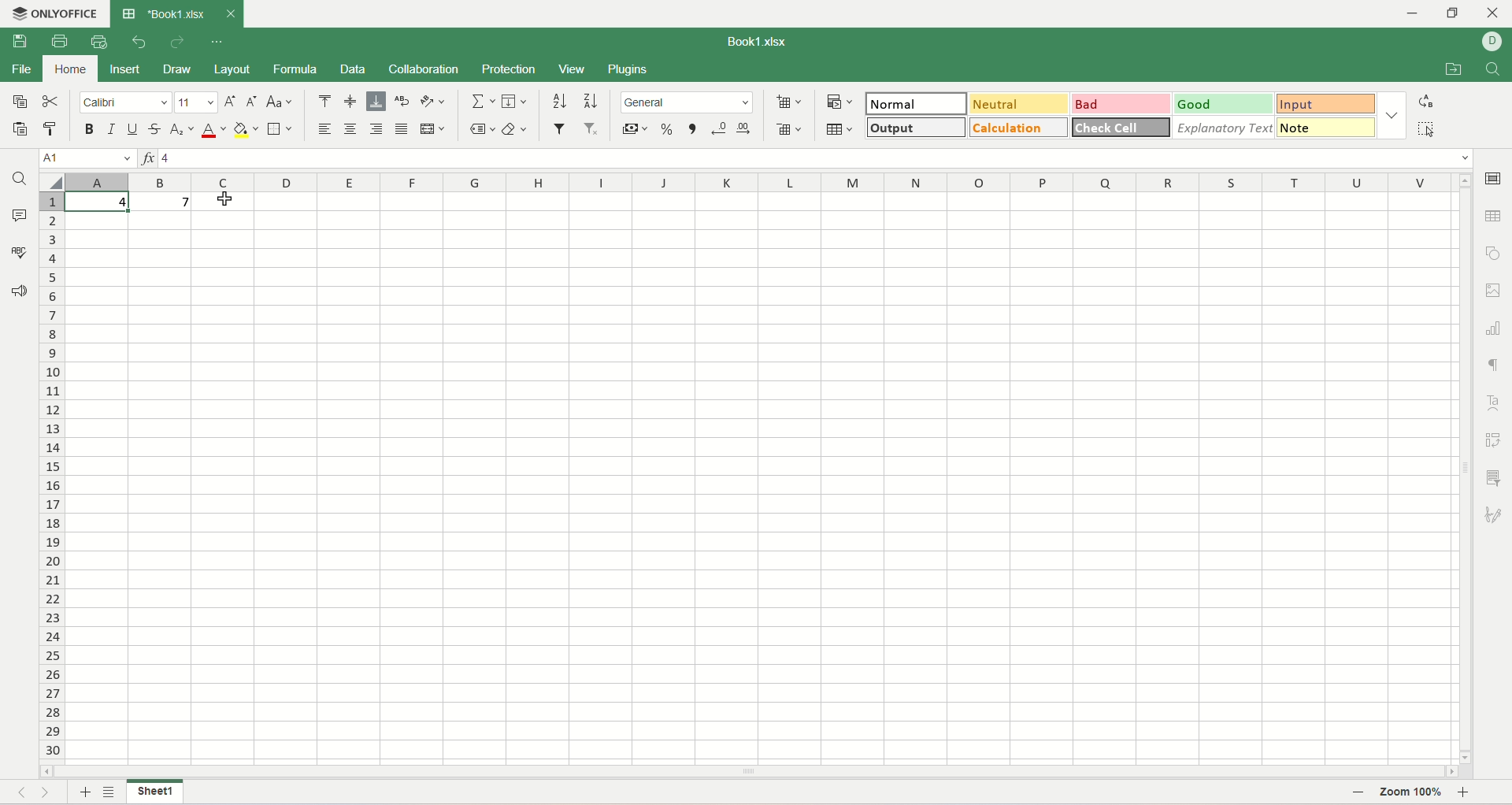 This screenshot has height=805, width=1512. I want to click on align center, so click(352, 129).